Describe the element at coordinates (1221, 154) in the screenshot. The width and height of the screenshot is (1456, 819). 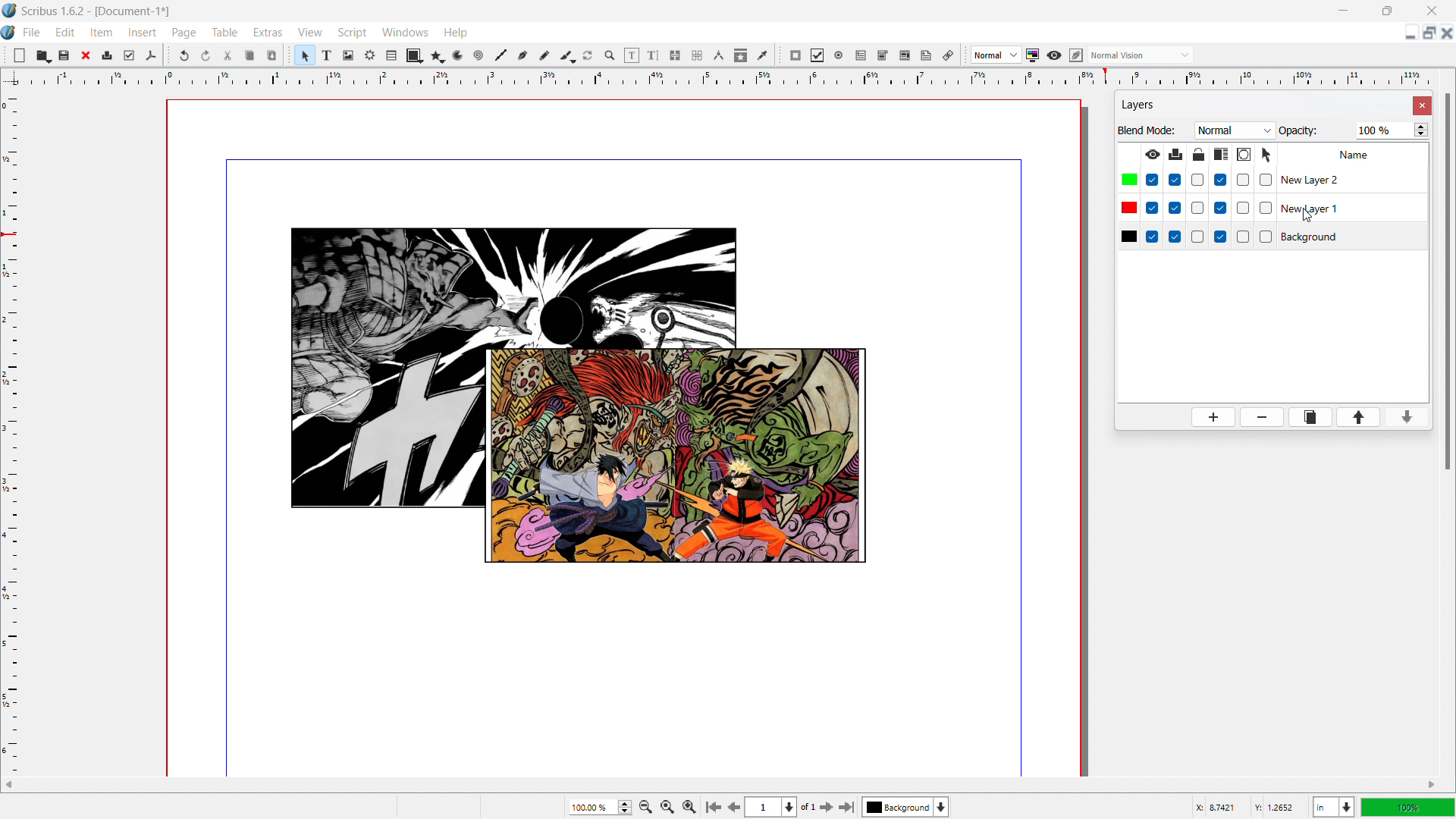
I see `make text in lower layer float around object` at that location.